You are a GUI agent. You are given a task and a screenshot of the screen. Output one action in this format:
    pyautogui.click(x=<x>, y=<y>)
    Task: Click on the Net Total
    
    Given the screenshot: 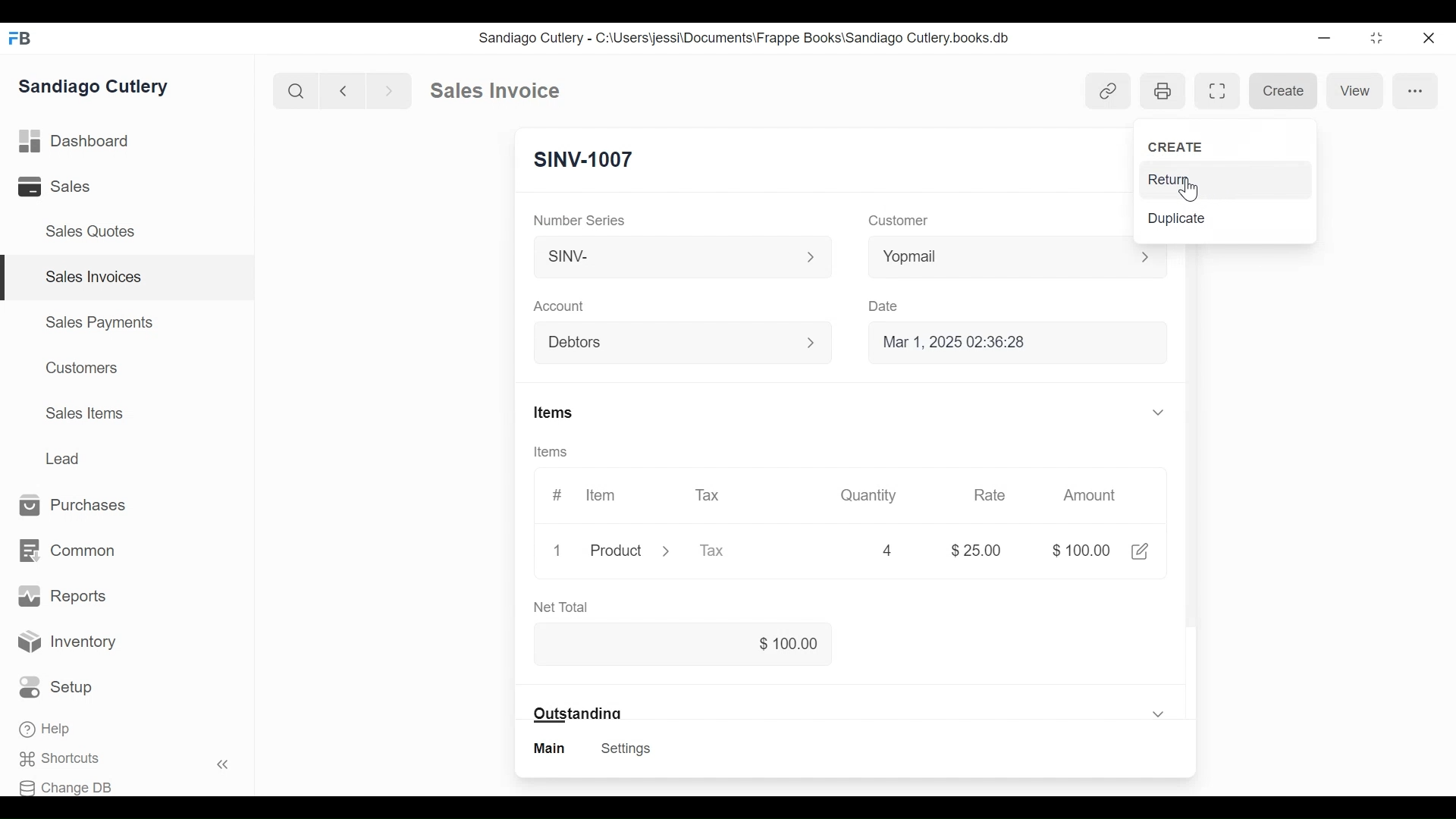 What is the action you would take?
    pyautogui.click(x=560, y=606)
    